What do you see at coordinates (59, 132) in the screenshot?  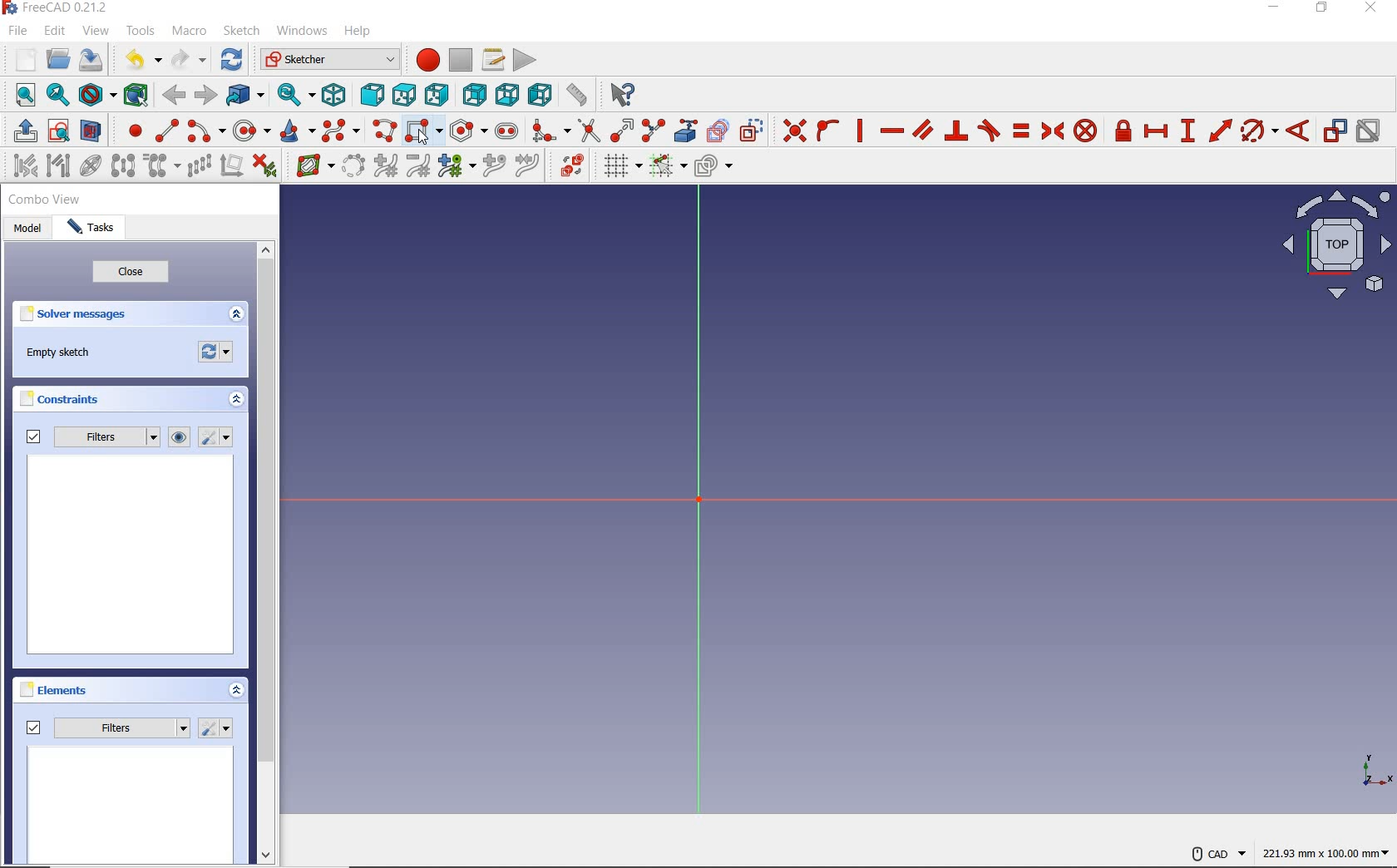 I see `view sketch` at bounding box center [59, 132].